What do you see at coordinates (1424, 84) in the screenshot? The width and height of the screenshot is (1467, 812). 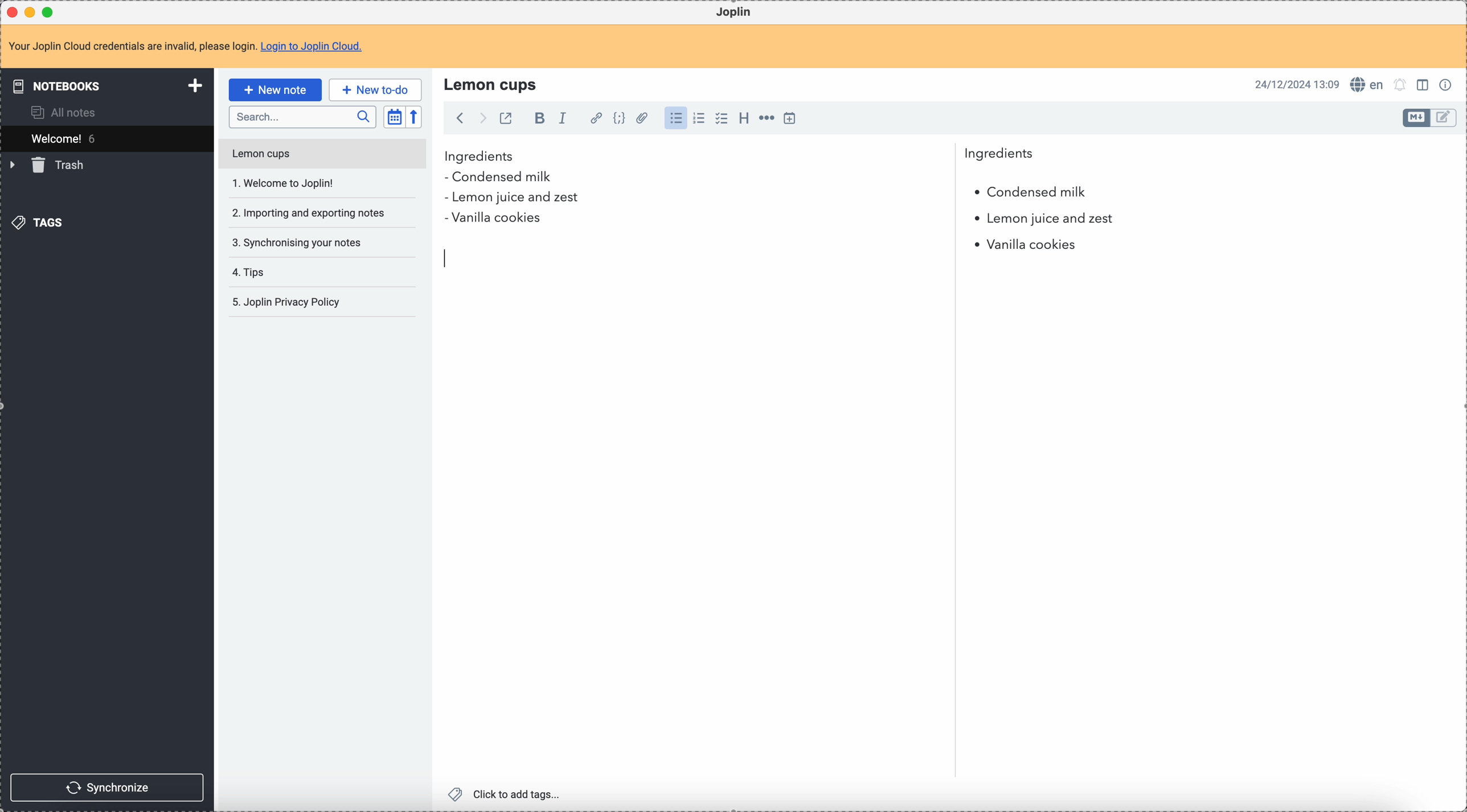 I see `toggle edit layout` at bounding box center [1424, 84].